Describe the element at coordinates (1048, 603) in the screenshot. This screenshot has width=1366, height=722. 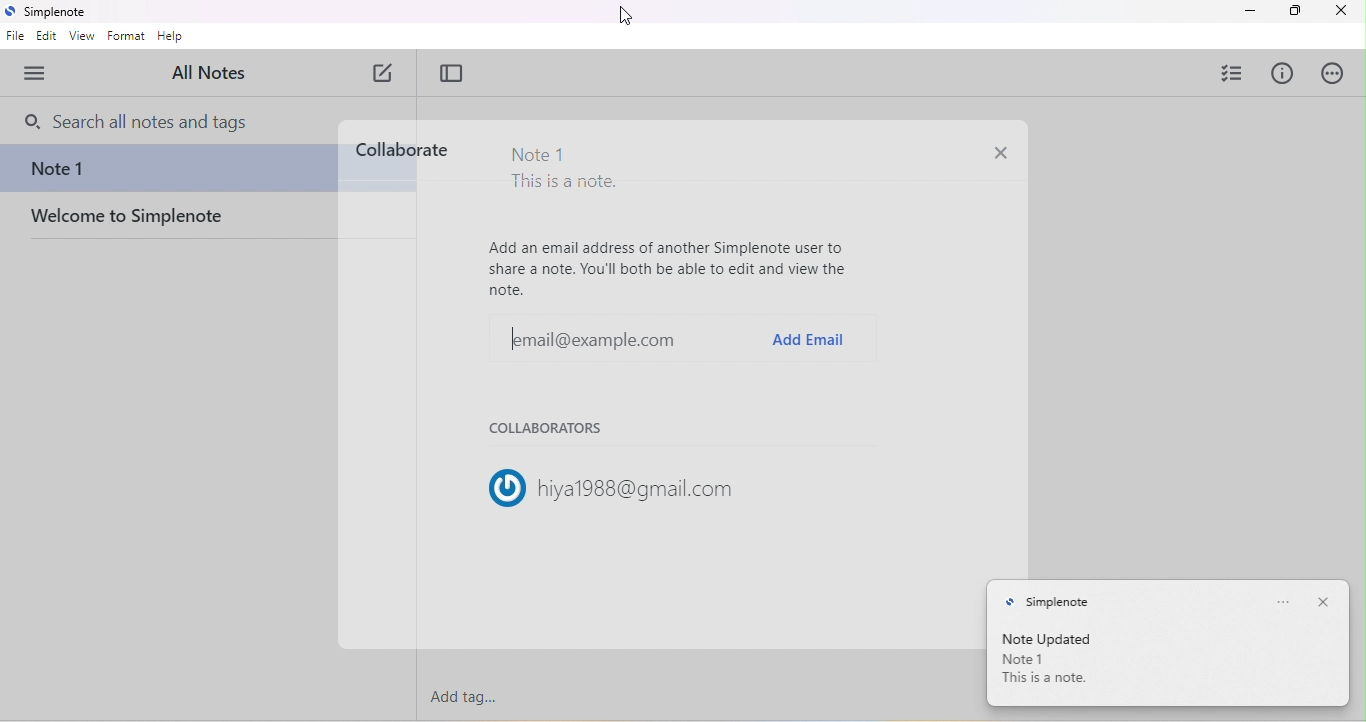
I see `simplenote` at that location.